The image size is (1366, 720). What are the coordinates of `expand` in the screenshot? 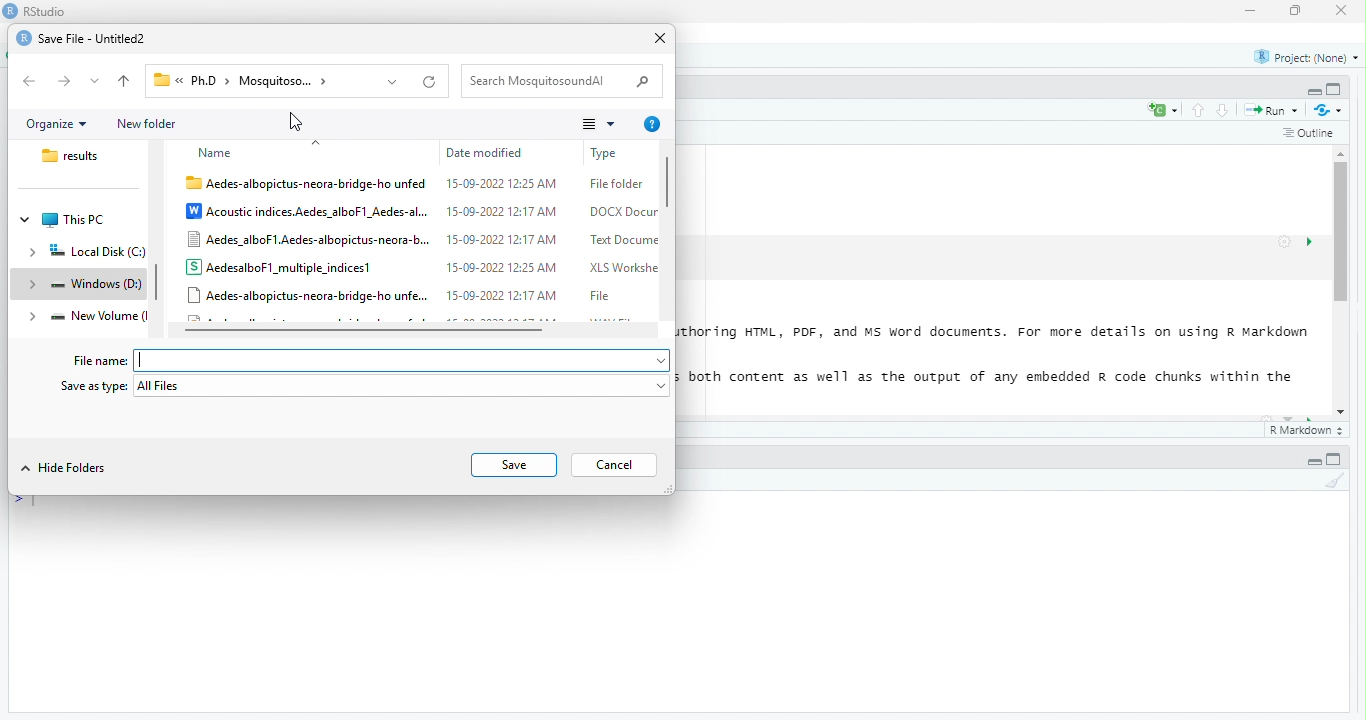 It's located at (33, 285).